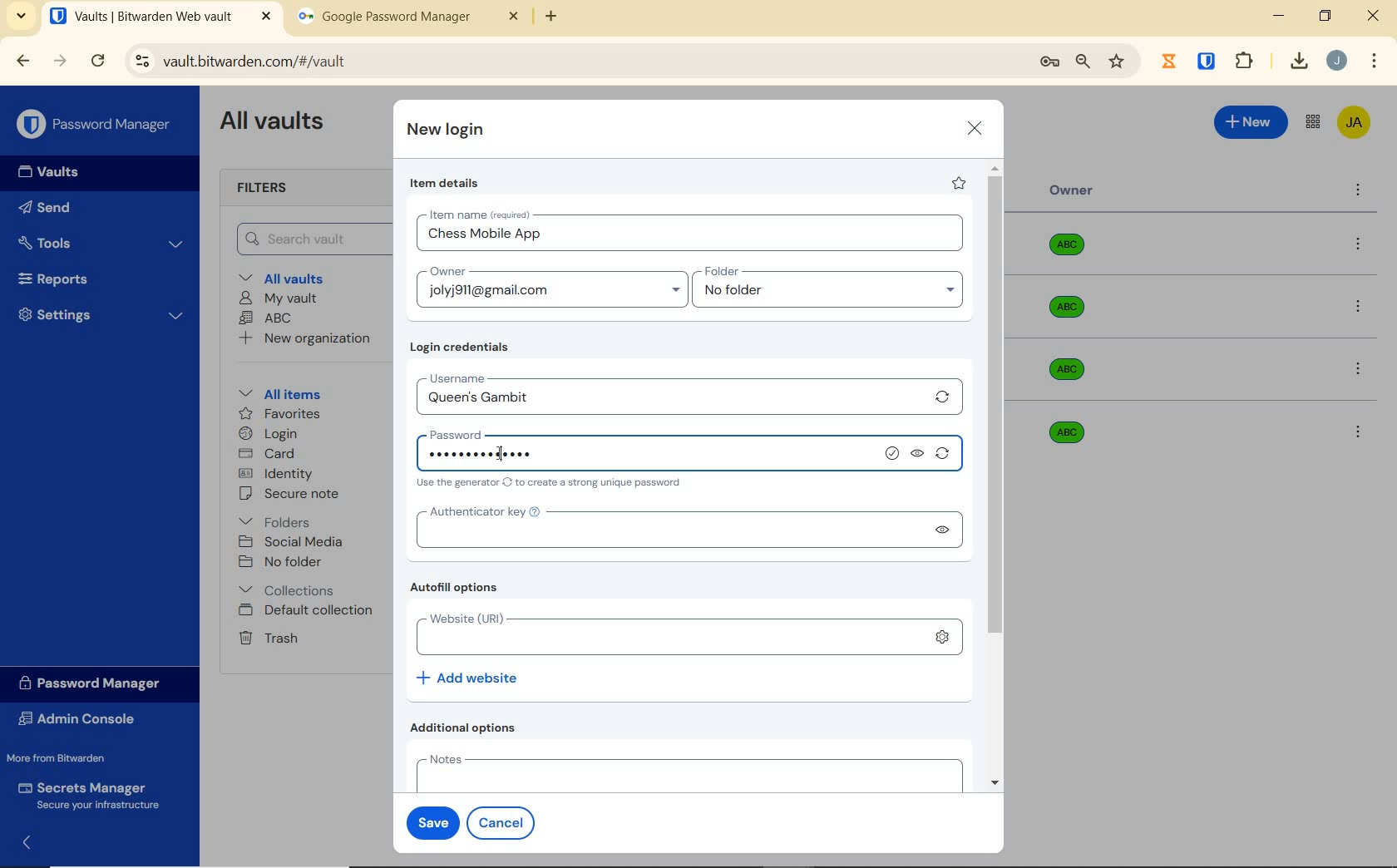  I want to click on Authenticator key, so click(664, 528).